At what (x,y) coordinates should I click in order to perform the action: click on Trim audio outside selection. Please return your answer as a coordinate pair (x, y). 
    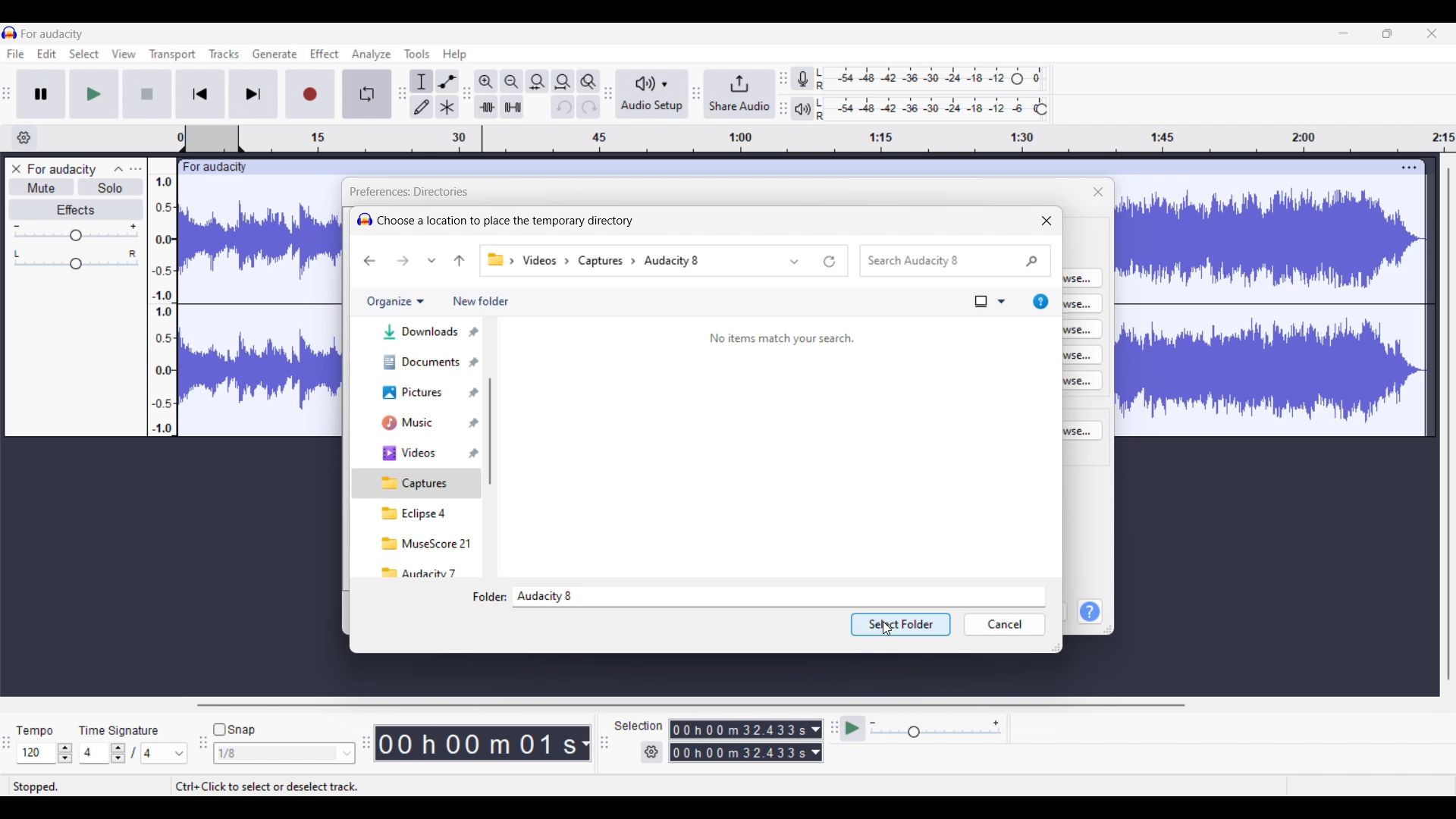
    Looking at the image, I should click on (486, 106).